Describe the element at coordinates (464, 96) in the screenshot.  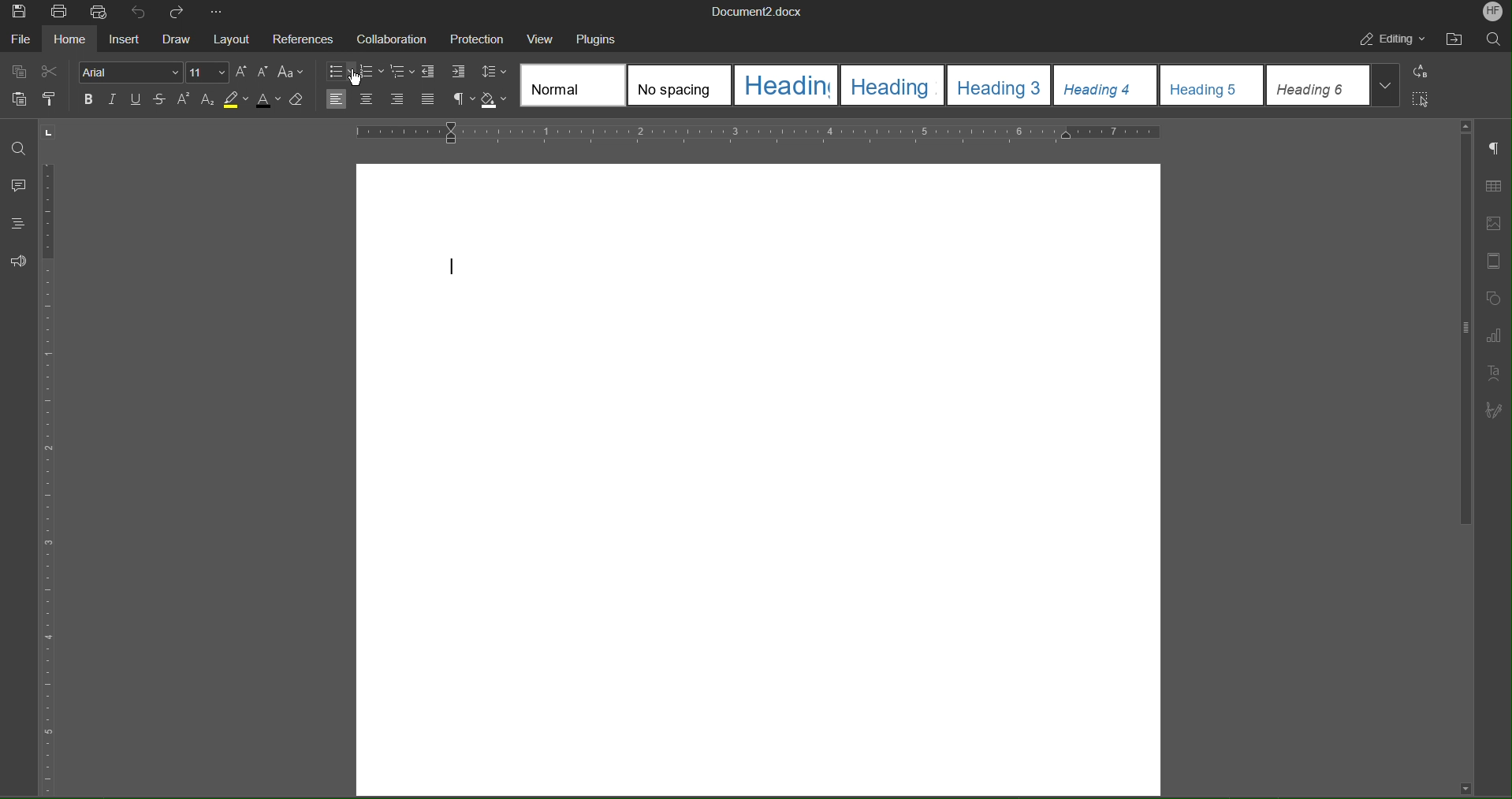
I see `Nonprinting characters` at that location.